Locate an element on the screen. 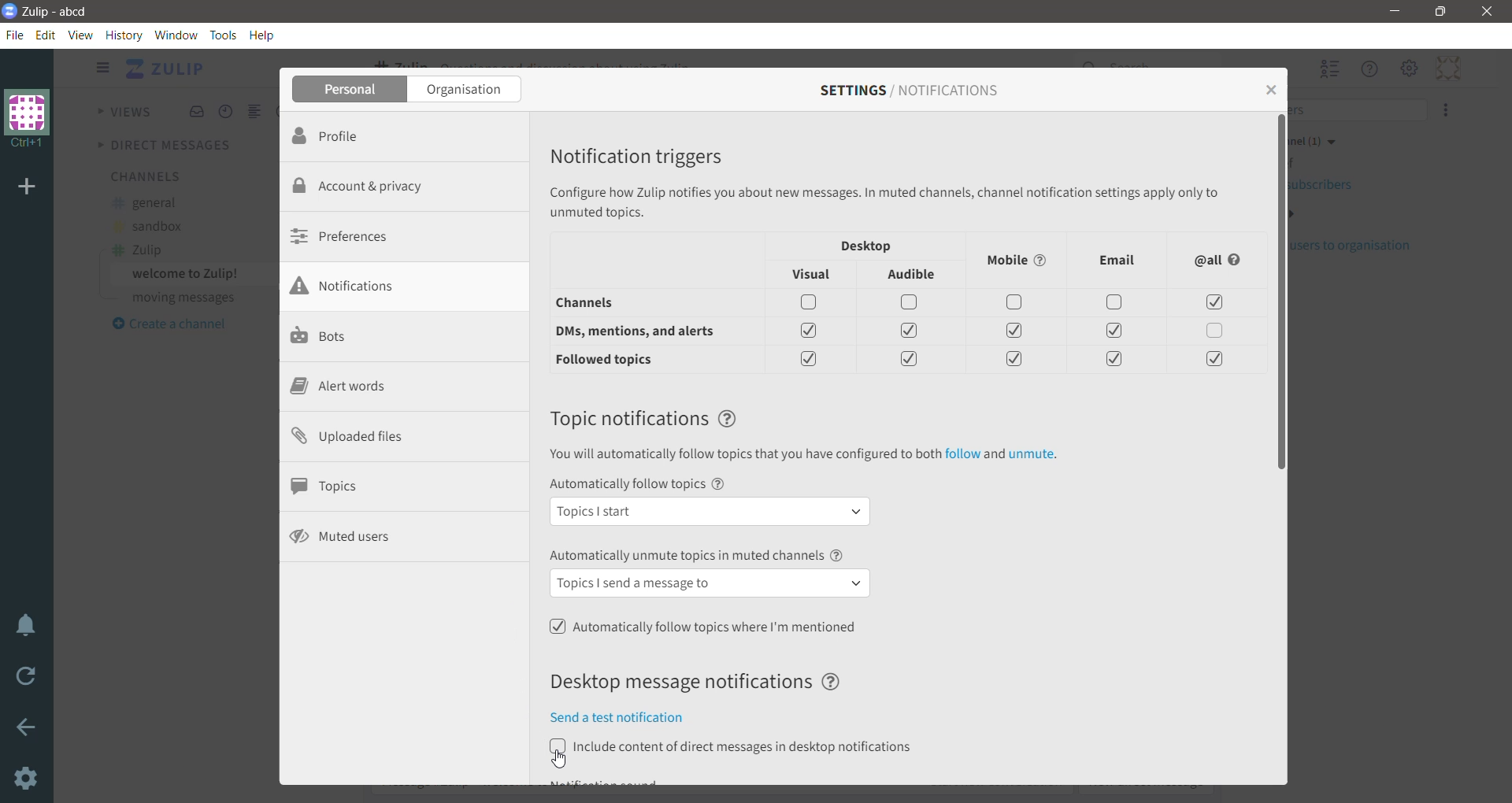  Include content of direct messages in desktop notifications - (disable message preview) is located at coordinates (731, 747).